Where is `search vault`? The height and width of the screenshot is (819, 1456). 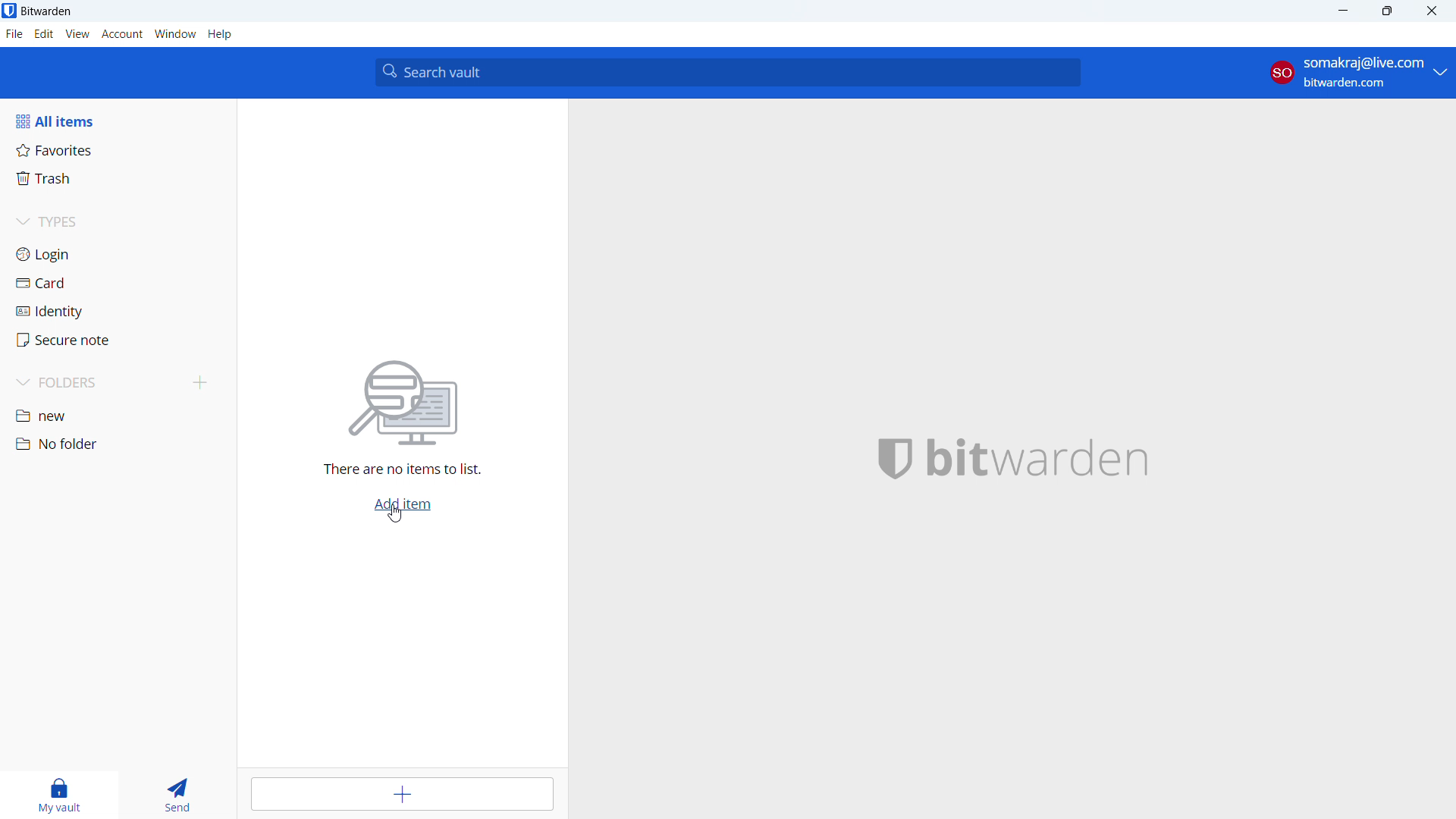
search vault is located at coordinates (727, 72).